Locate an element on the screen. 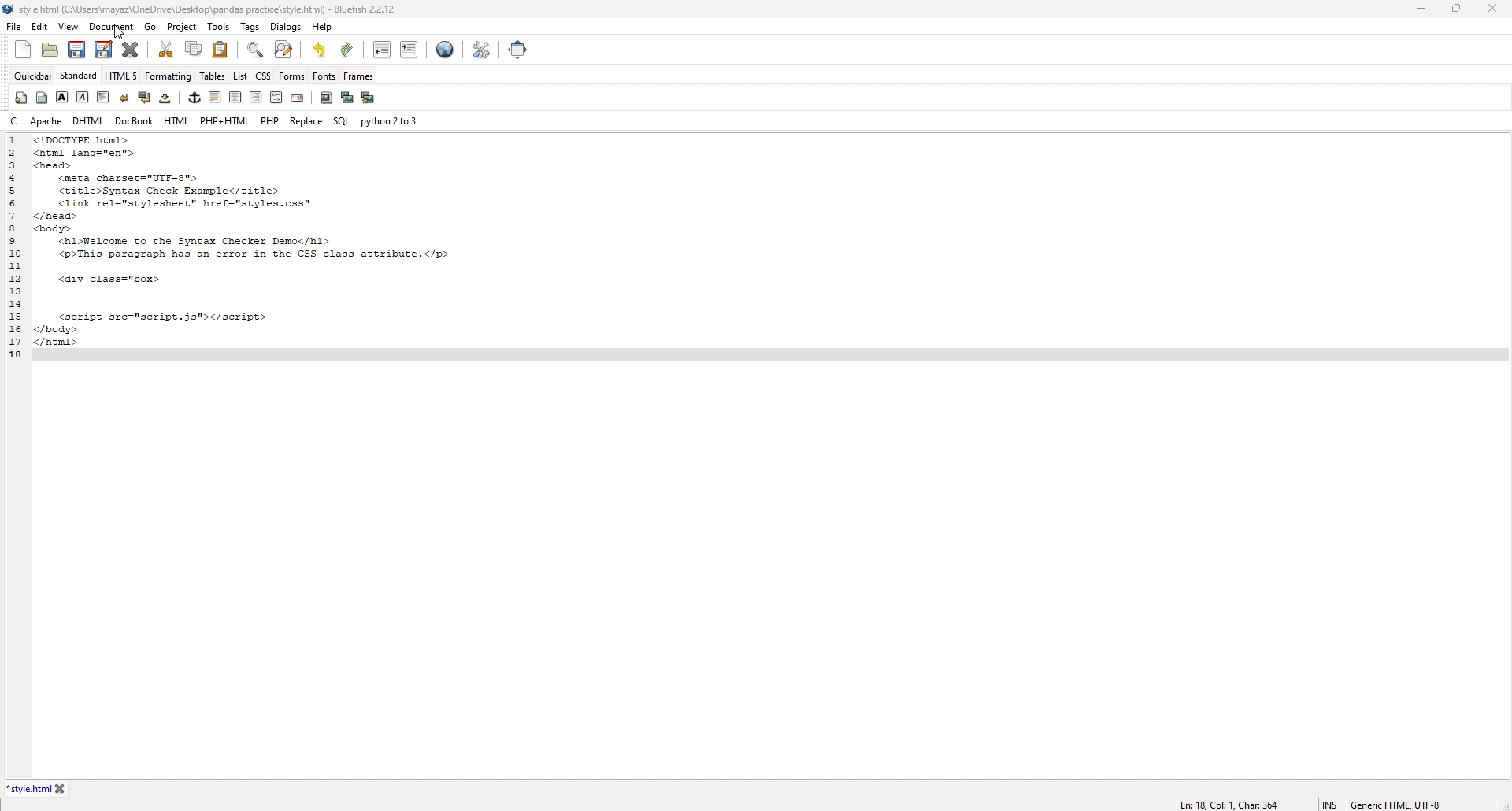 This screenshot has width=1512, height=811. php+html is located at coordinates (225, 122).